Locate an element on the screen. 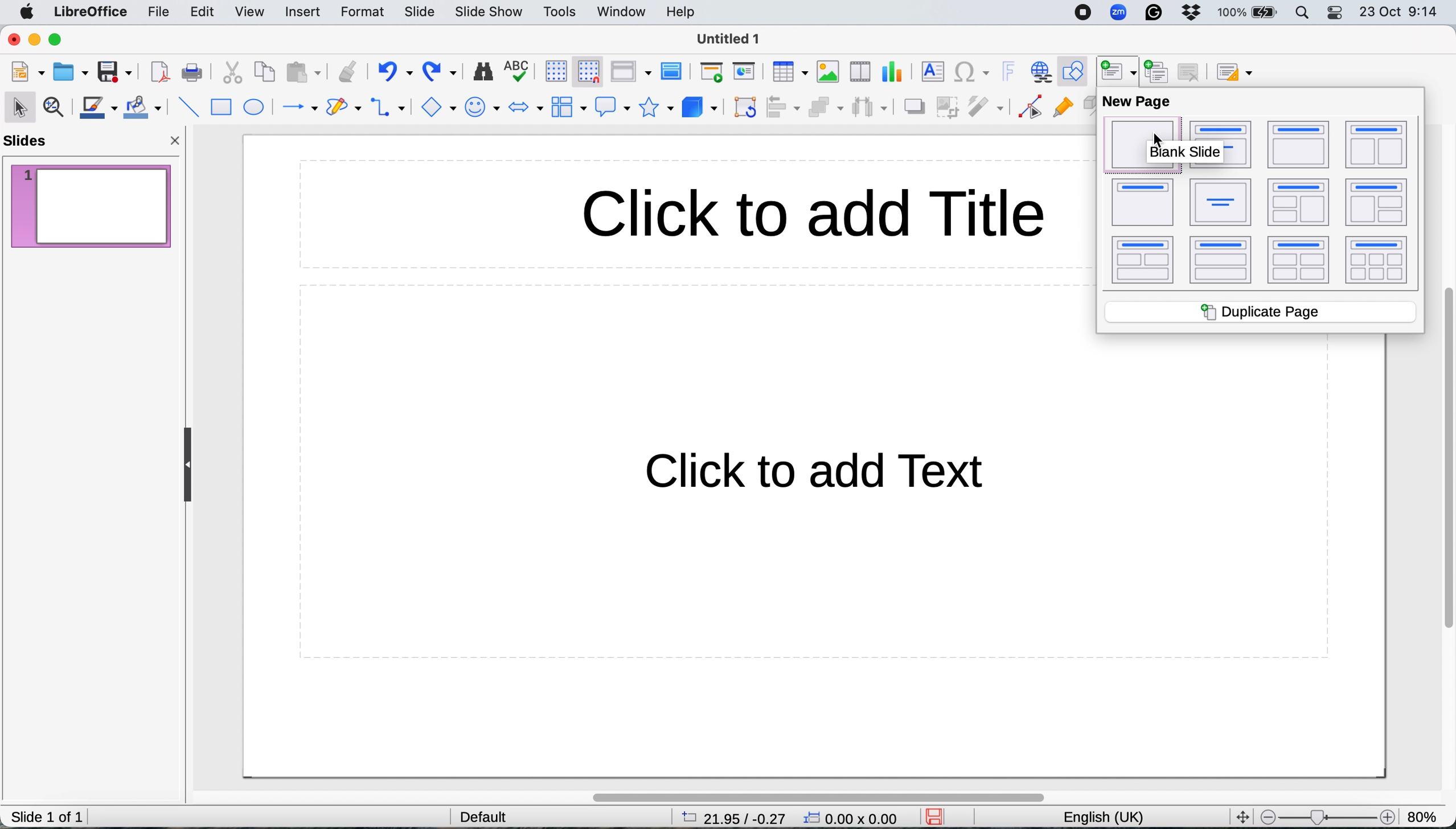 This screenshot has height=829, width=1456. start from first slide is located at coordinates (711, 72).